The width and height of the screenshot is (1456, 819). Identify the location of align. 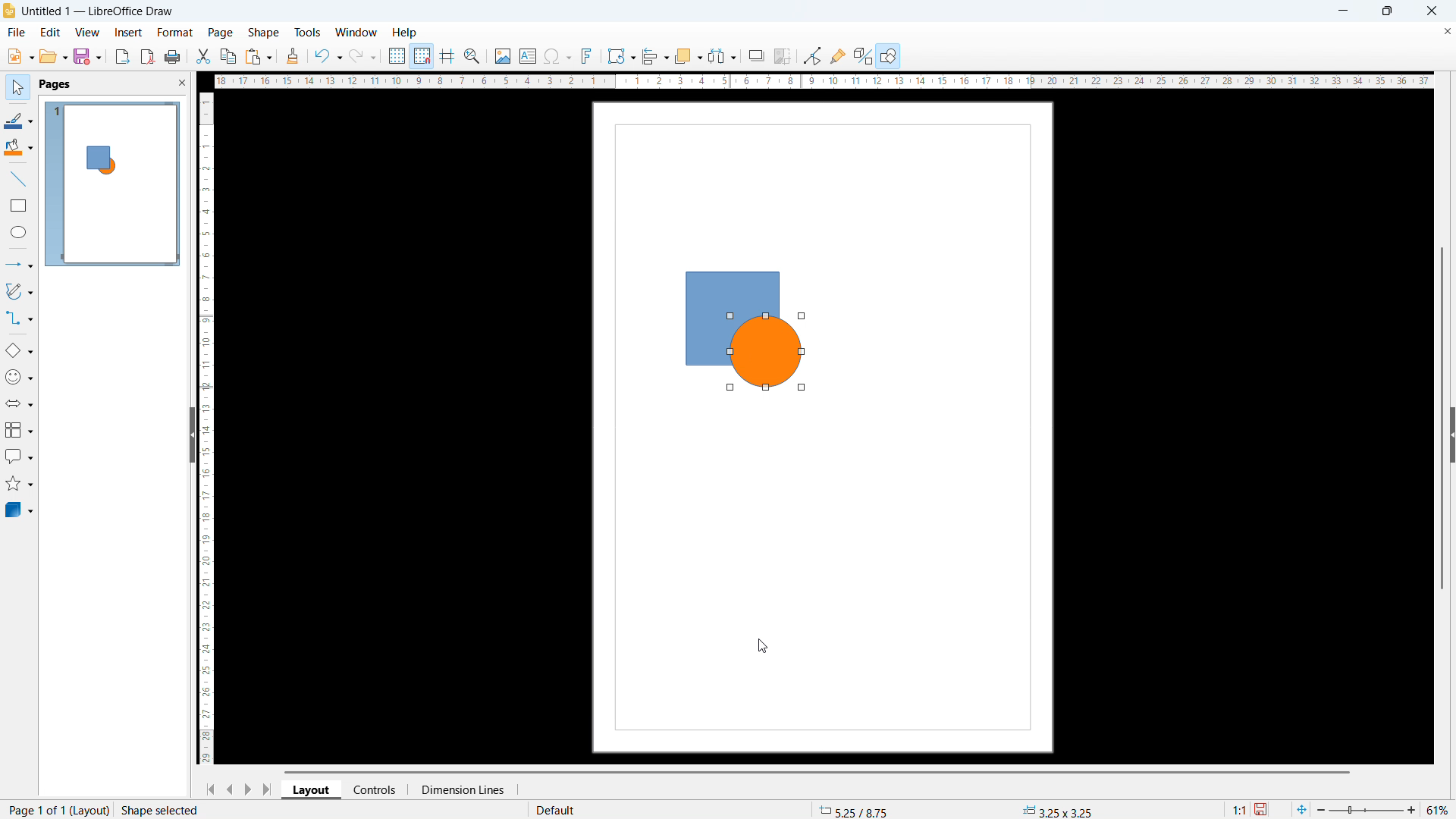
(655, 57).